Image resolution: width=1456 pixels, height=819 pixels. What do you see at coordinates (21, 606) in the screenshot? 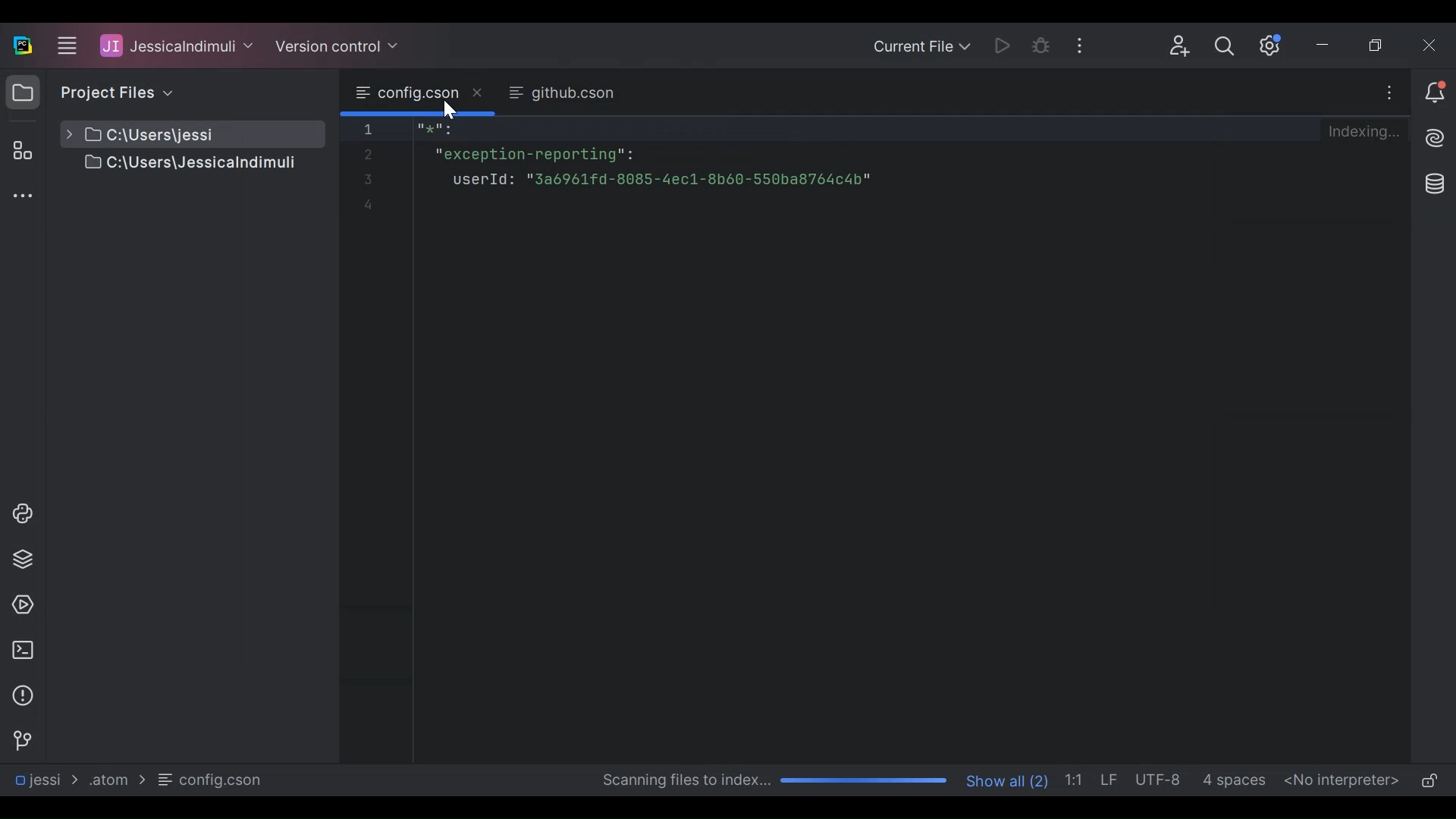
I see `Services` at bounding box center [21, 606].